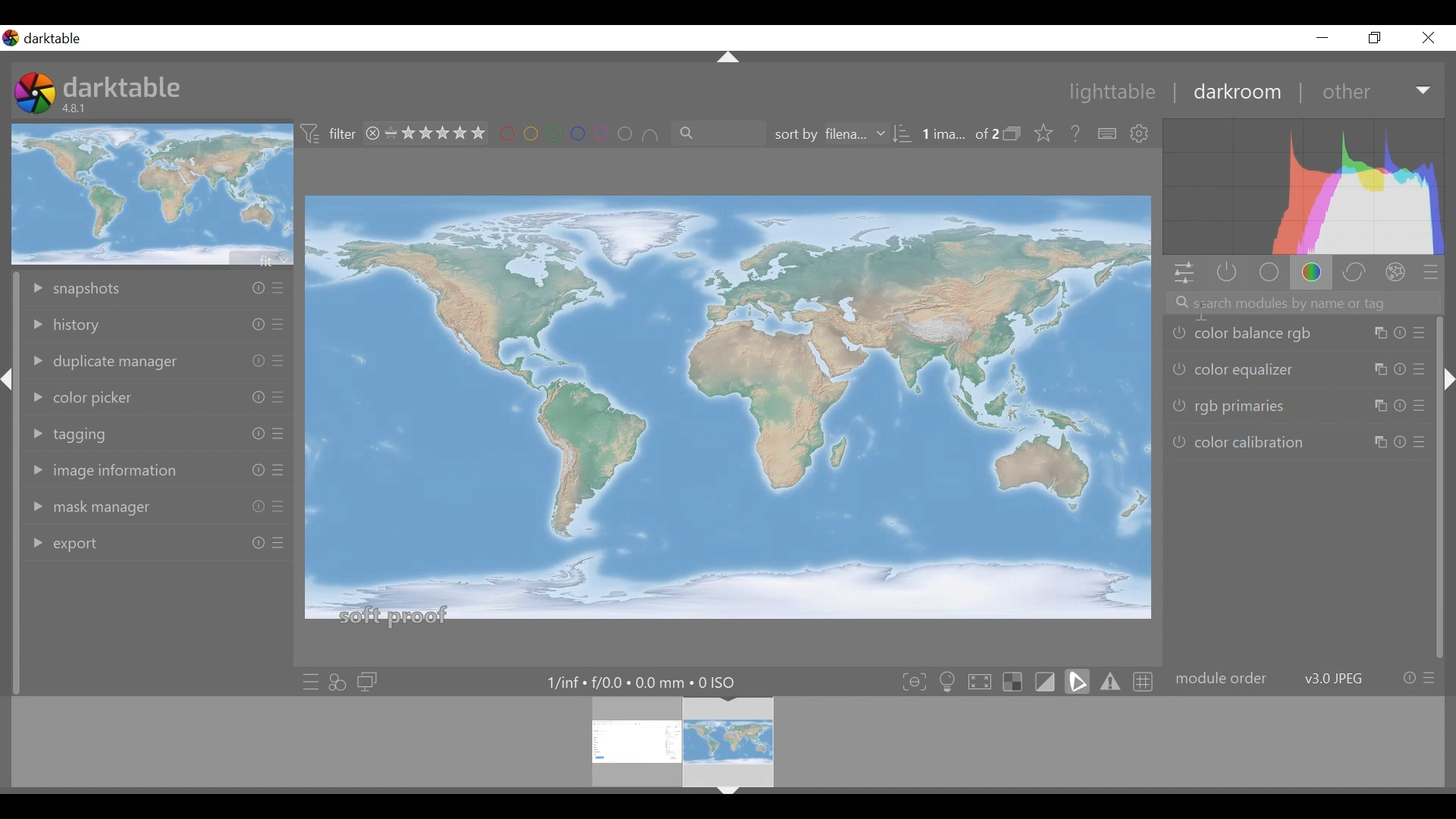  I want to click on collapse/expand grouped images, so click(1016, 135).